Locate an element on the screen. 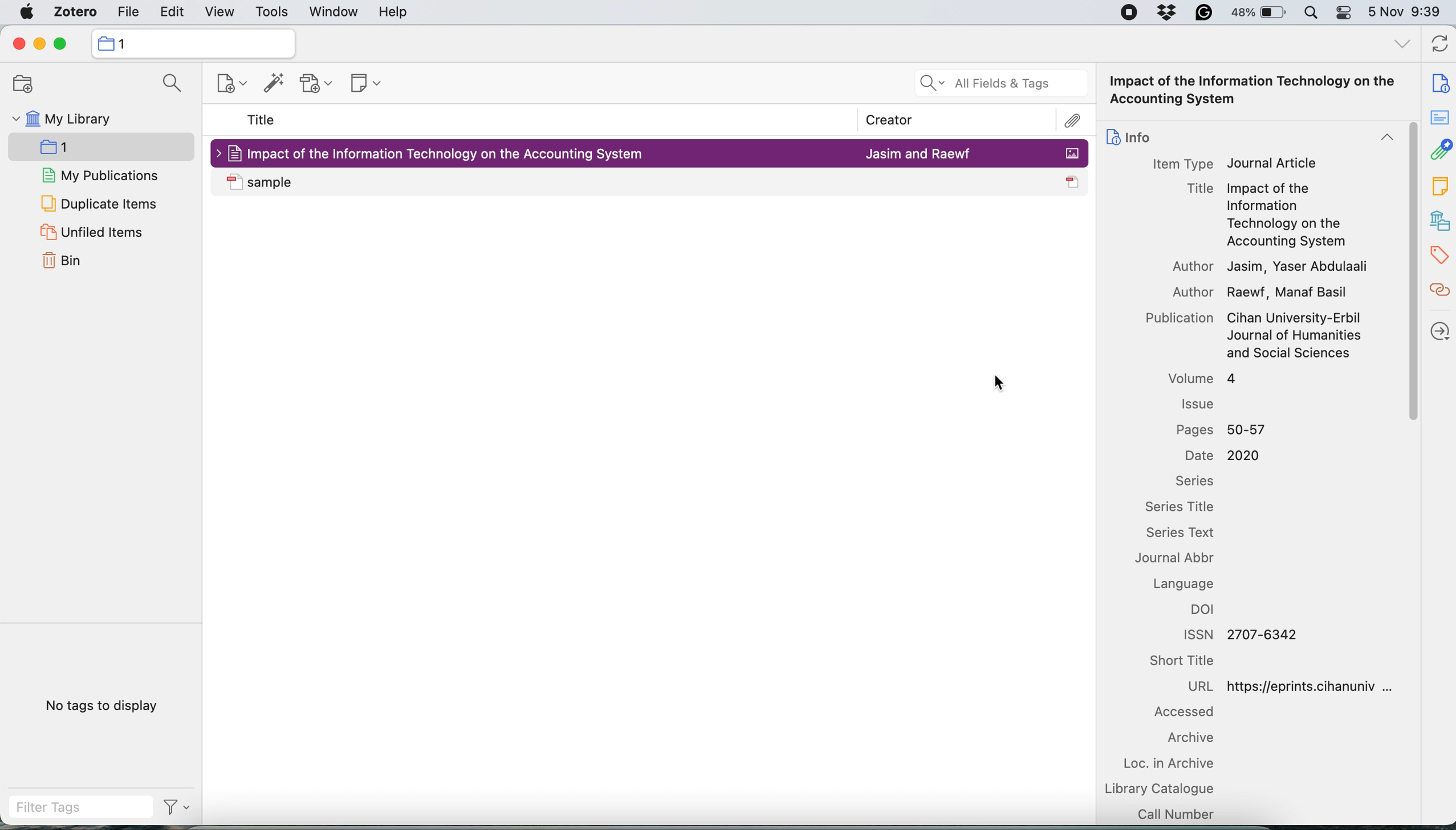 This screenshot has width=1456, height=830. Author Raewf, Manaf Basil is located at coordinates (1263, 294).